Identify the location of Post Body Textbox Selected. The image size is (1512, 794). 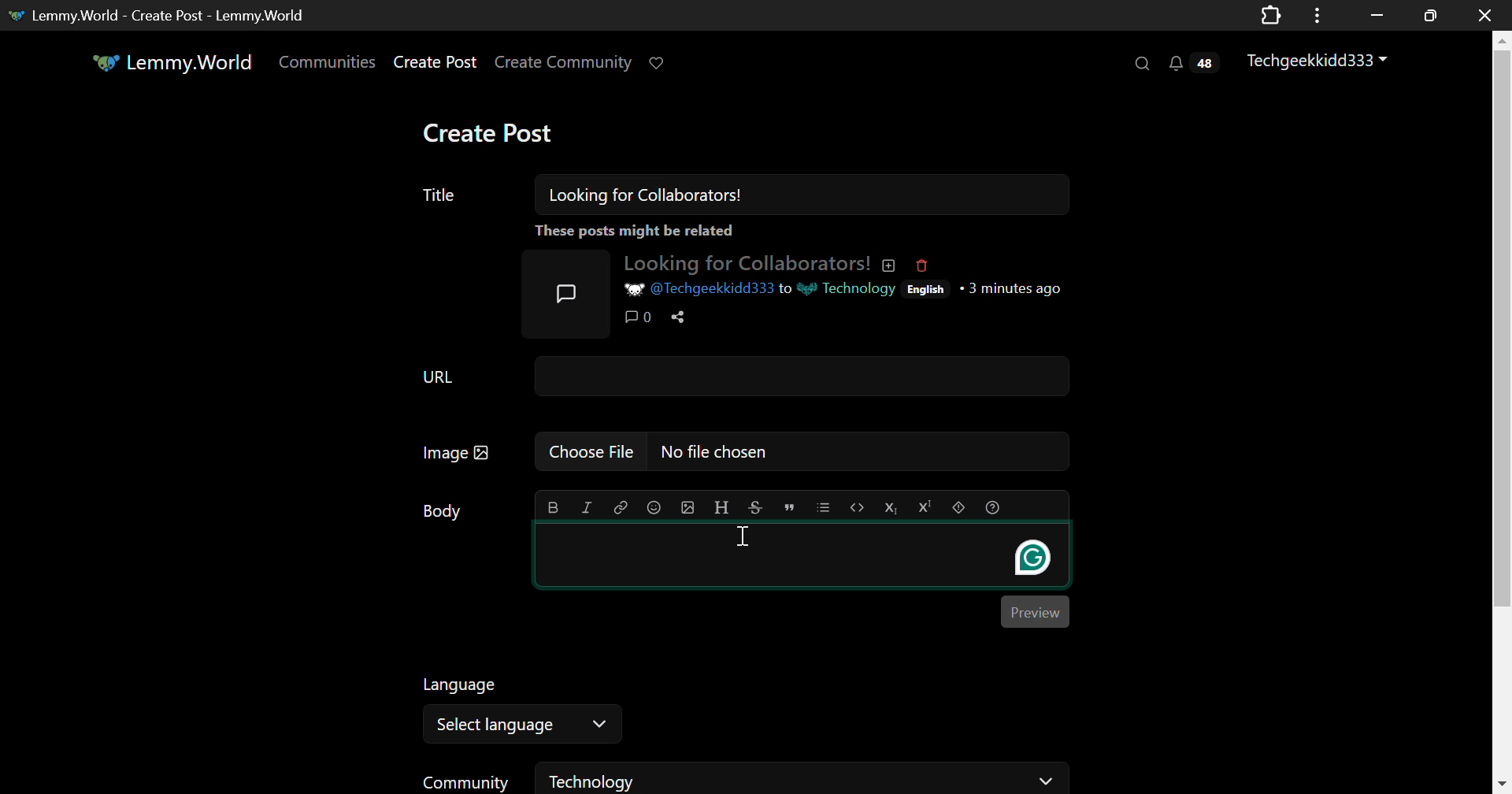
(805, 558).